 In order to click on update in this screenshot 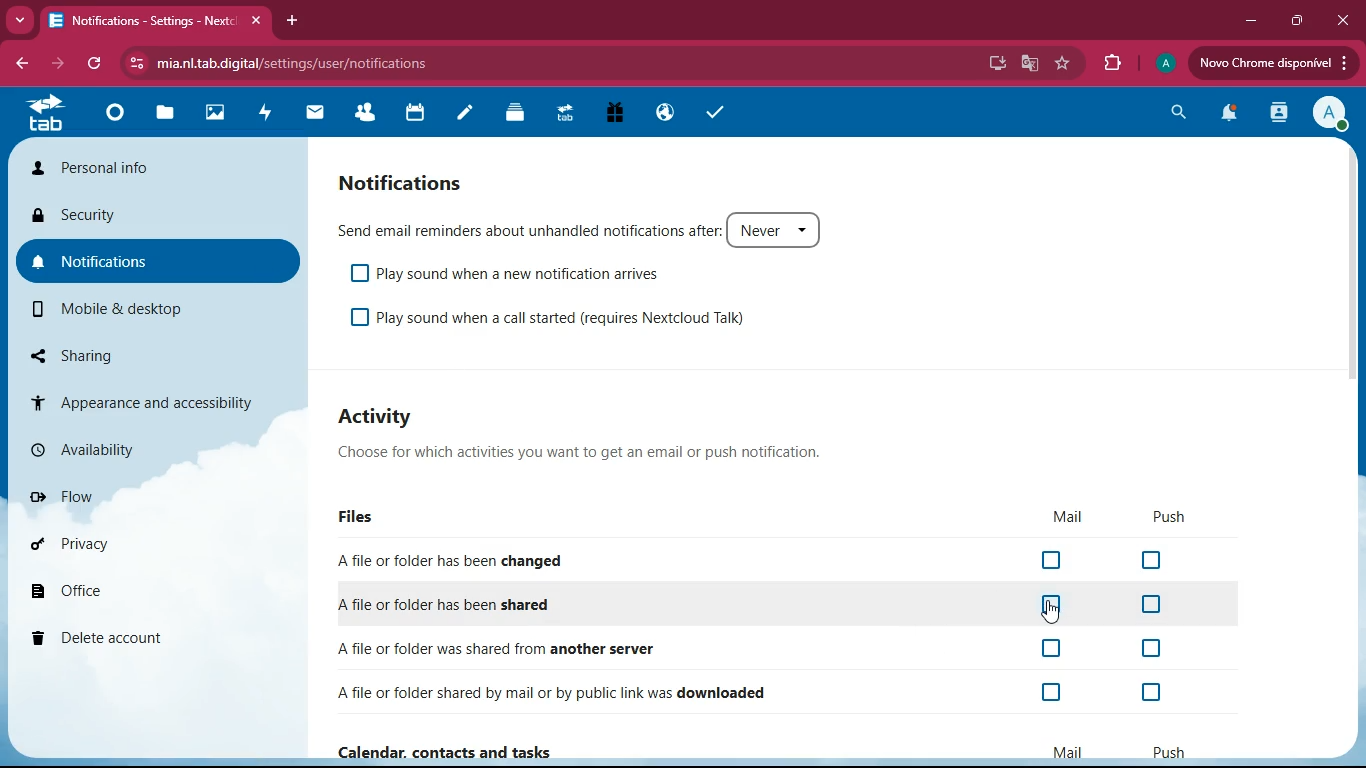, I will do `click(1272, 63)`.